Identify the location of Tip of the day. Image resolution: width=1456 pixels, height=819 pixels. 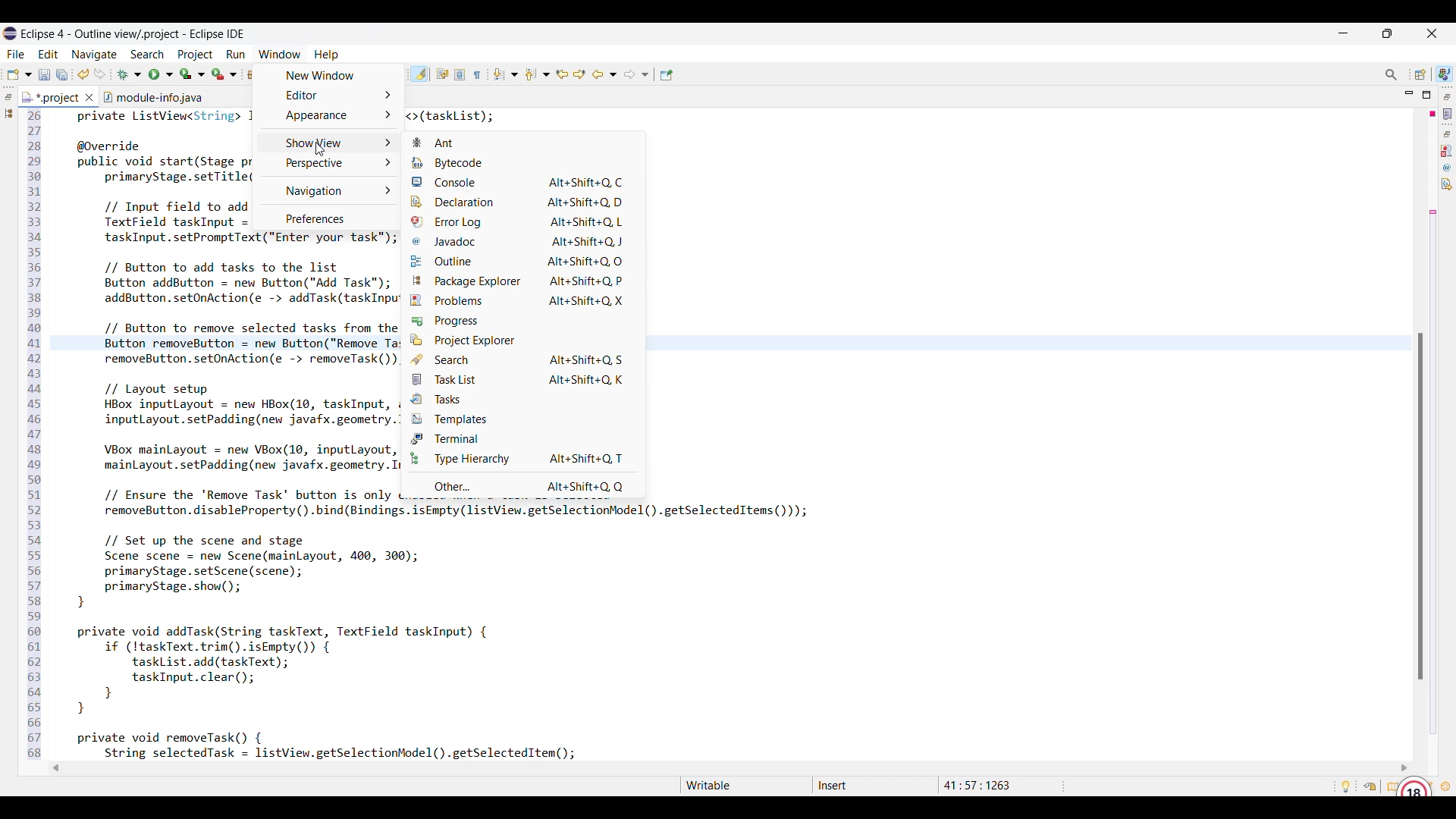
(1346, 786).